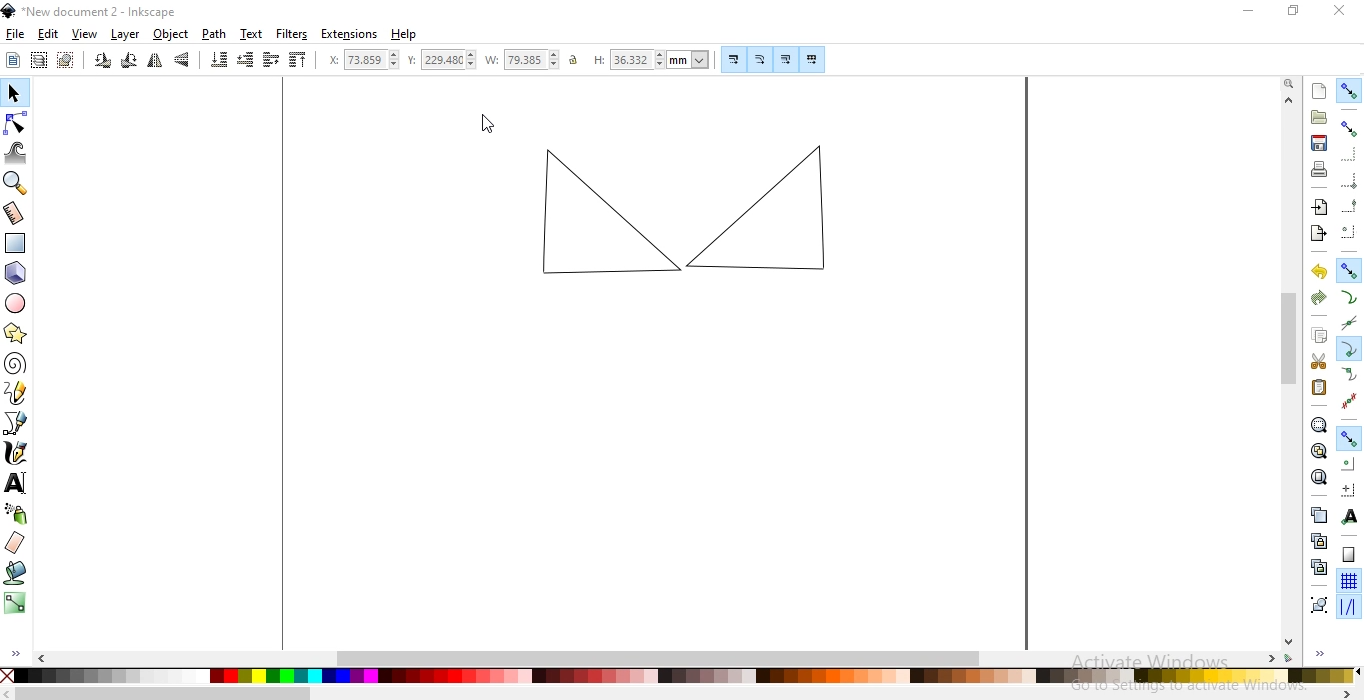  I want to click on zoom to fit selection, so click(1318, 424).